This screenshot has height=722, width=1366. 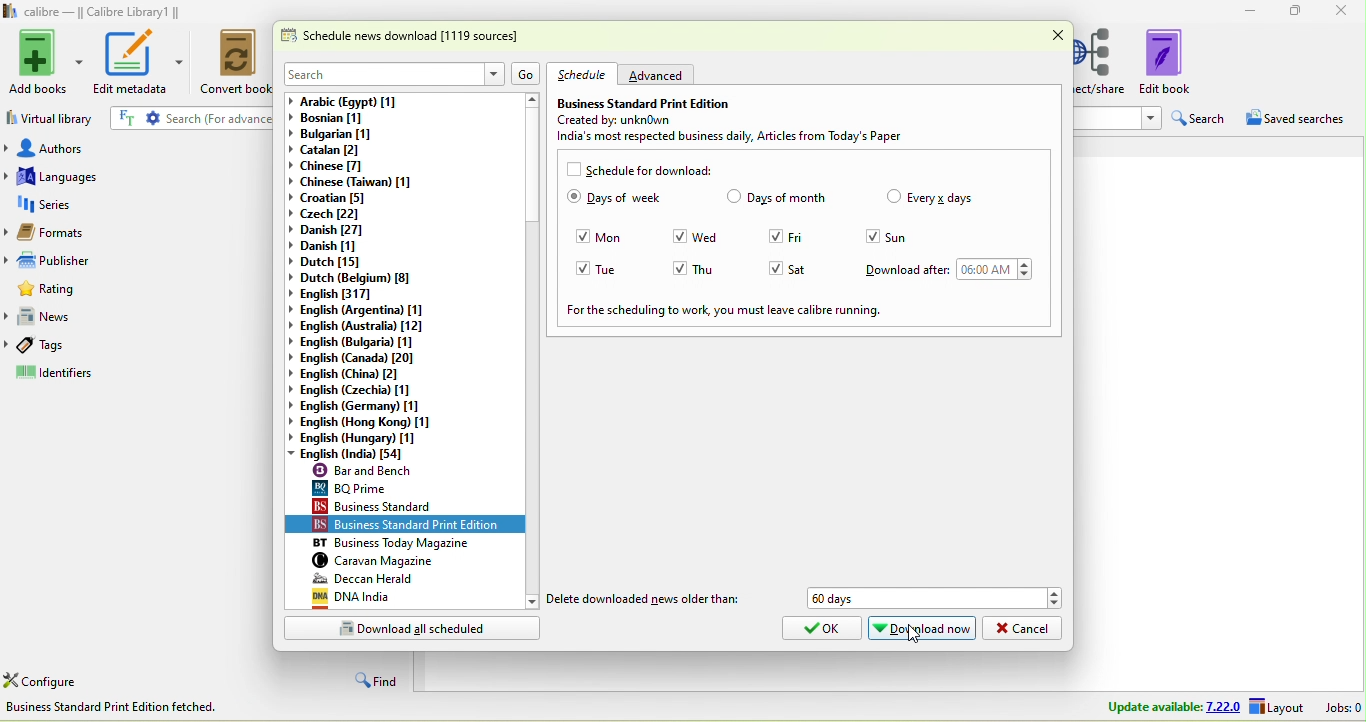 What do you see at coordinates (408, 599) in the screenshot?
I see `dna india` at bounding box center [408, 599].